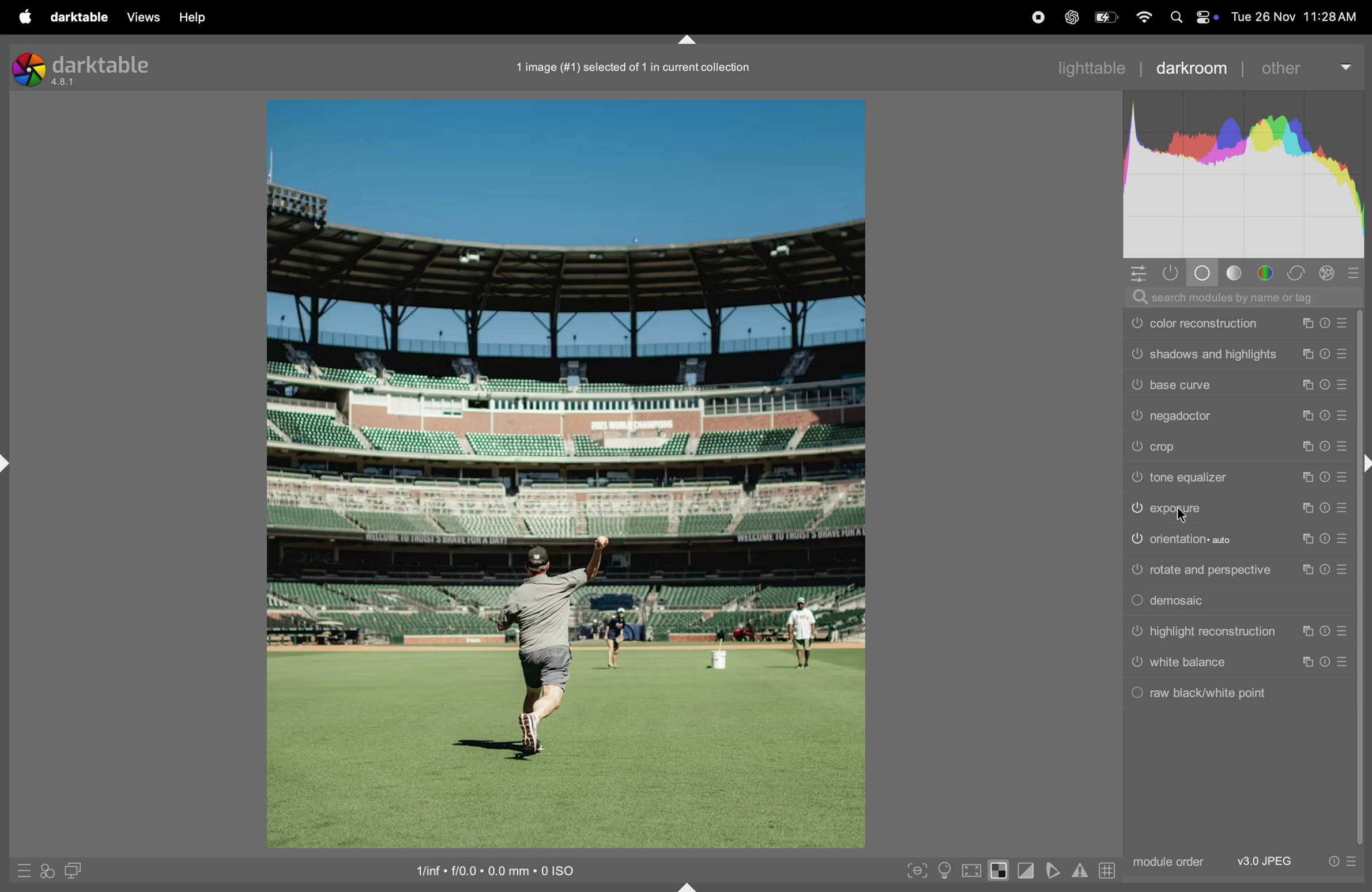 The height and width of the screenshot is (892, 1372). I want to click on copy, so click(1305, 509).